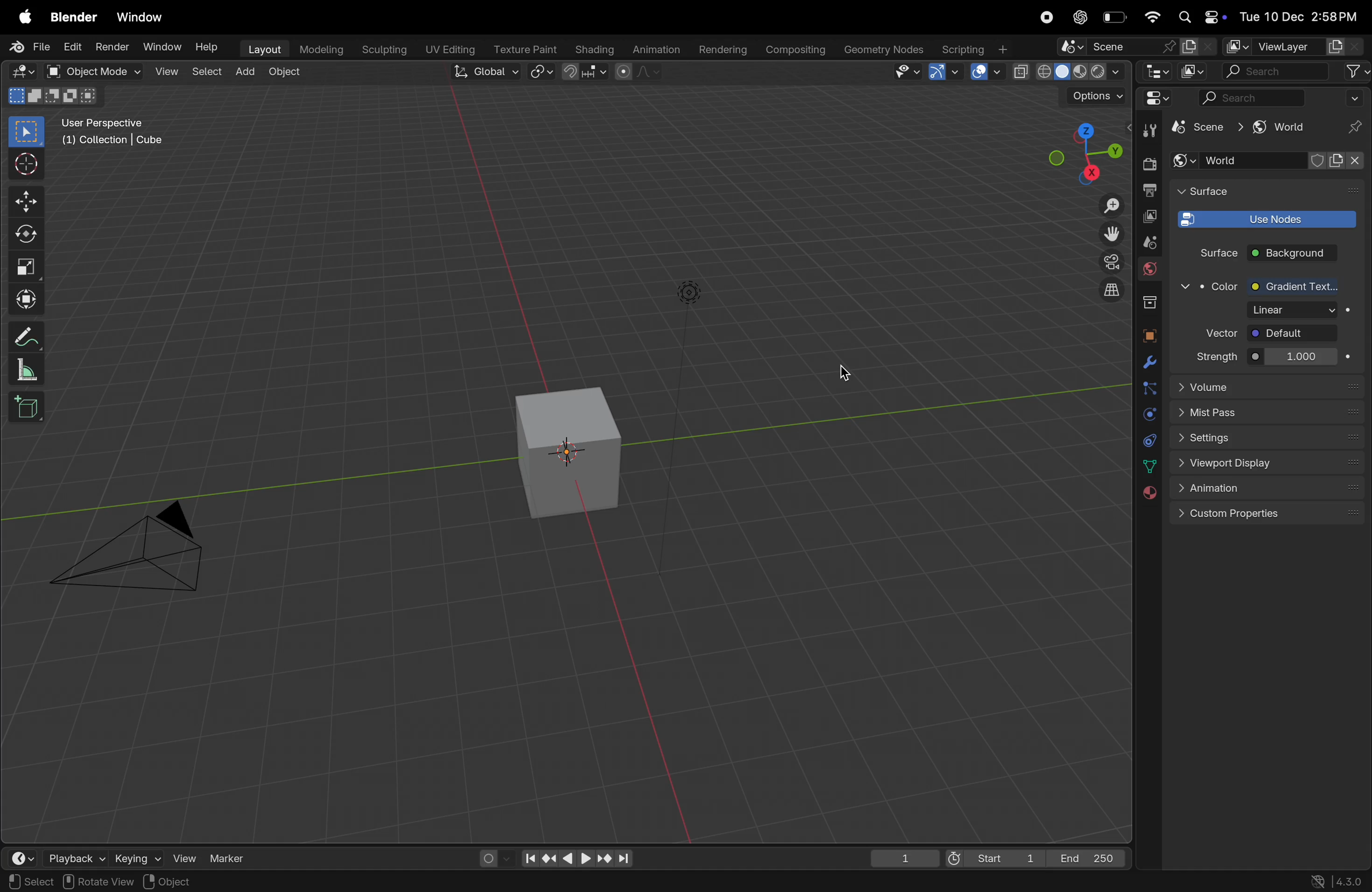 The height and width of the screenshot is (892, 1372). Describe the element at coordinates (1154, 98) in the screenshot. I see `editor type` at that location.